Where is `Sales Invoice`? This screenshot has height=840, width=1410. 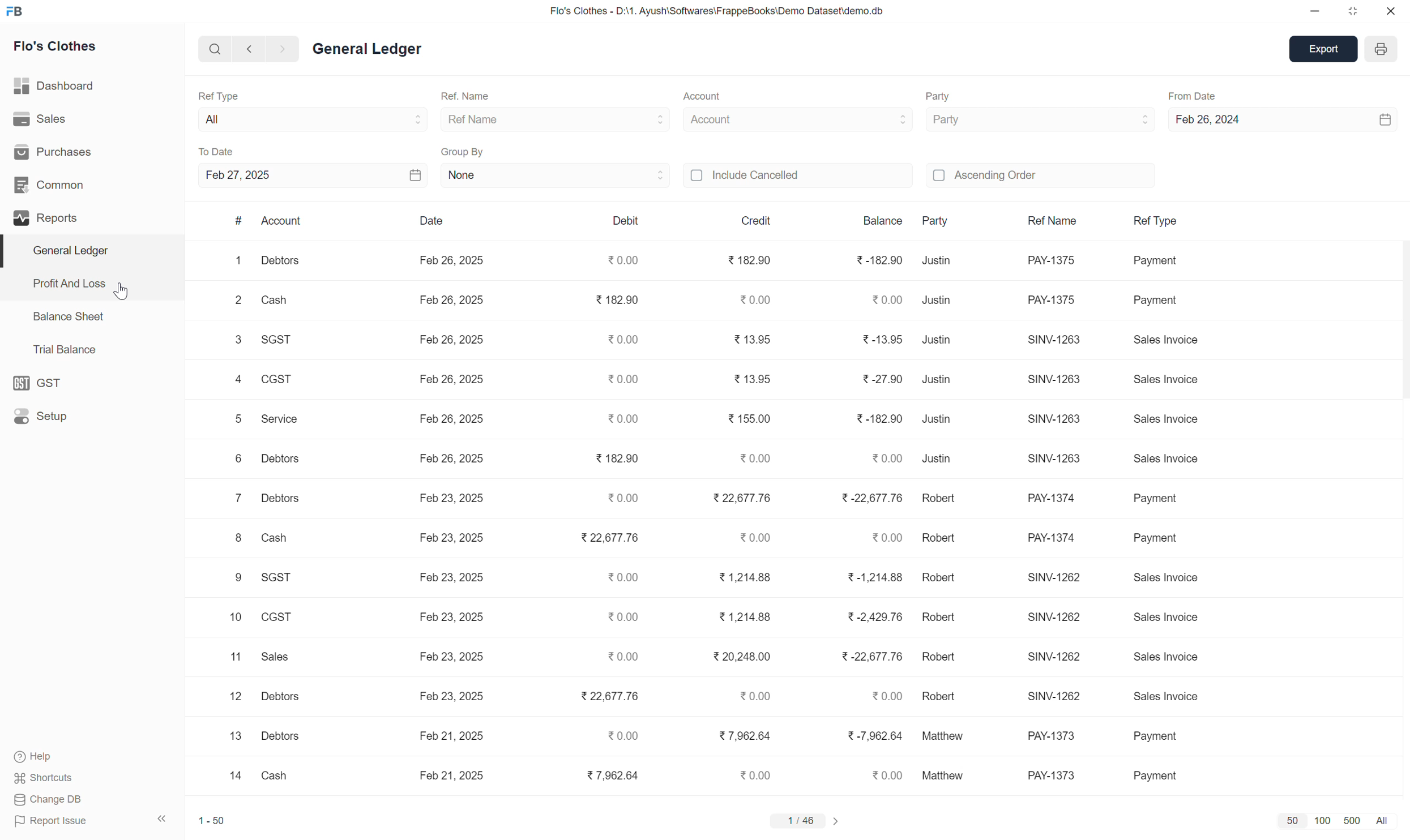 Sales Invoice is located at coordinates (1172, 582).